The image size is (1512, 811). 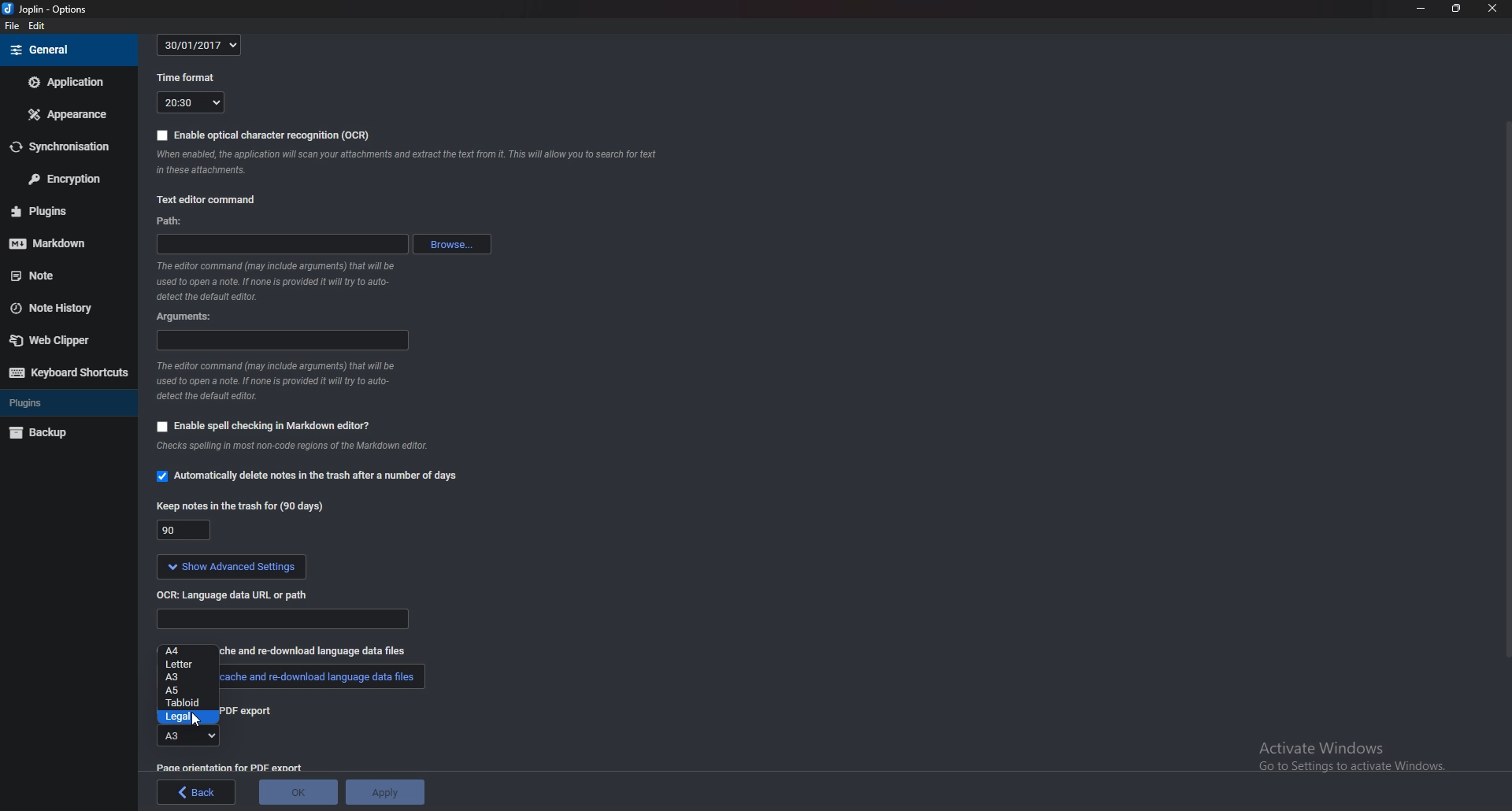 I want to click on Keep notes in the trash for, so click(x=239, y=503).